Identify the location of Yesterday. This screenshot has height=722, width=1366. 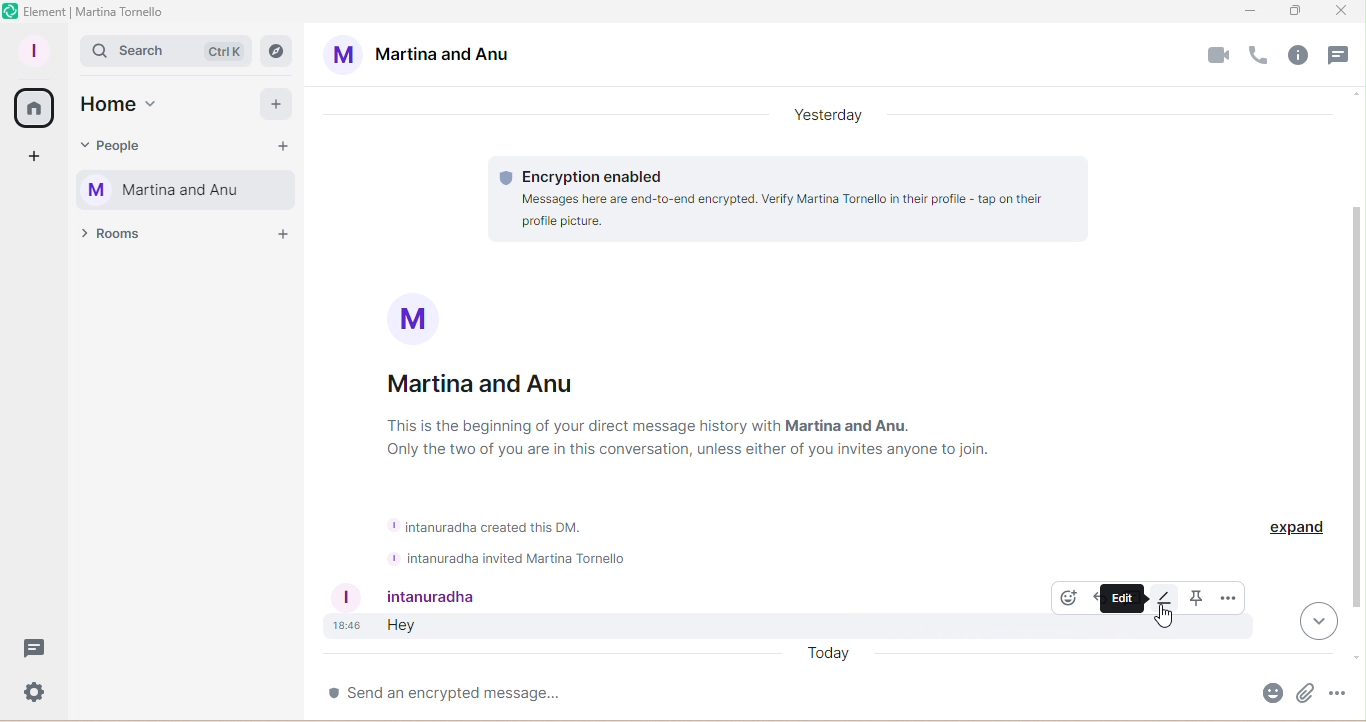
(829, 117).